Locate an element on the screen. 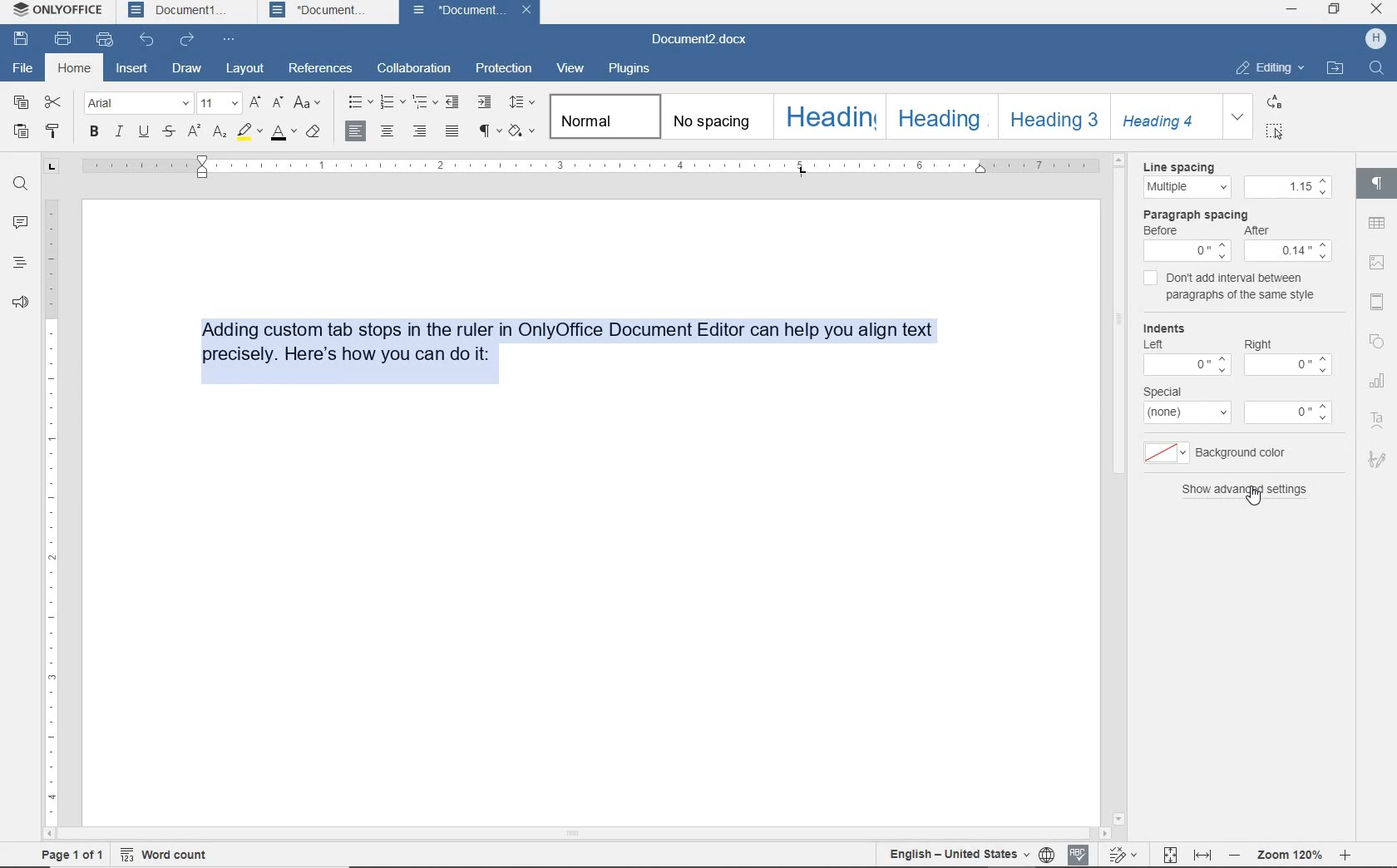  font size is located at coordinates (220, 104).